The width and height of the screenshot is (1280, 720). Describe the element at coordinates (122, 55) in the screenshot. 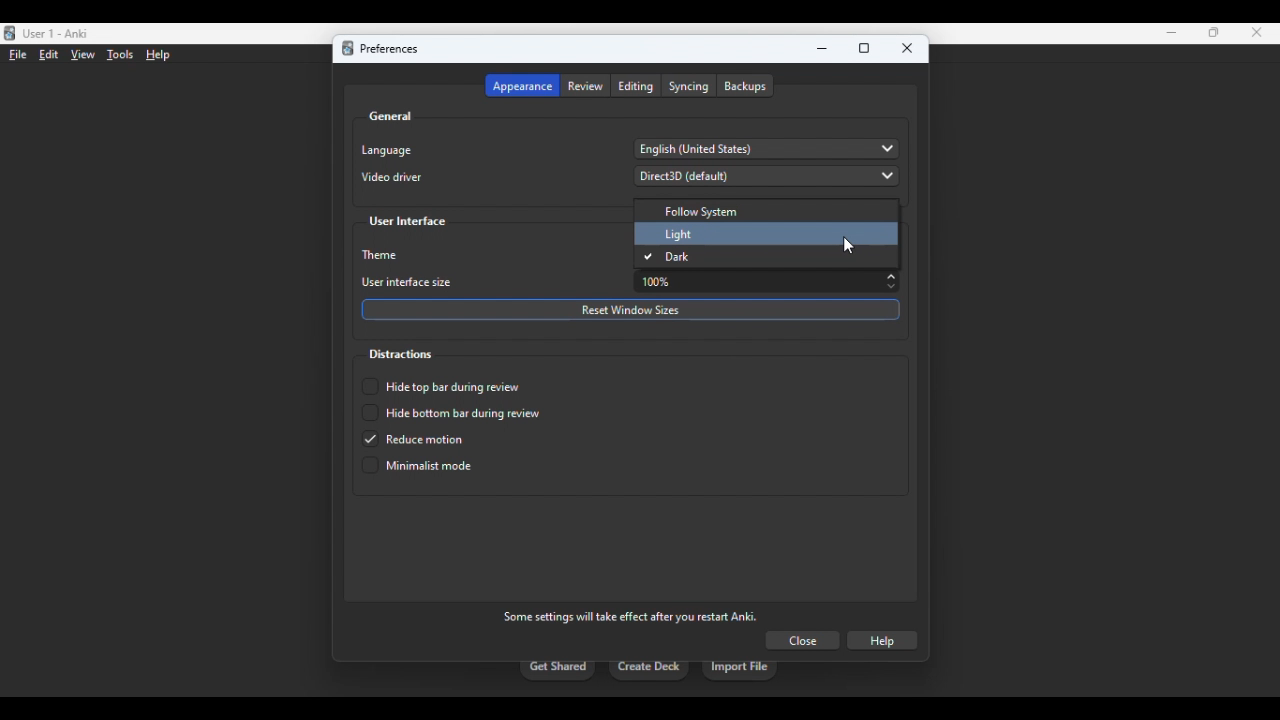

I see `tools` at that location.